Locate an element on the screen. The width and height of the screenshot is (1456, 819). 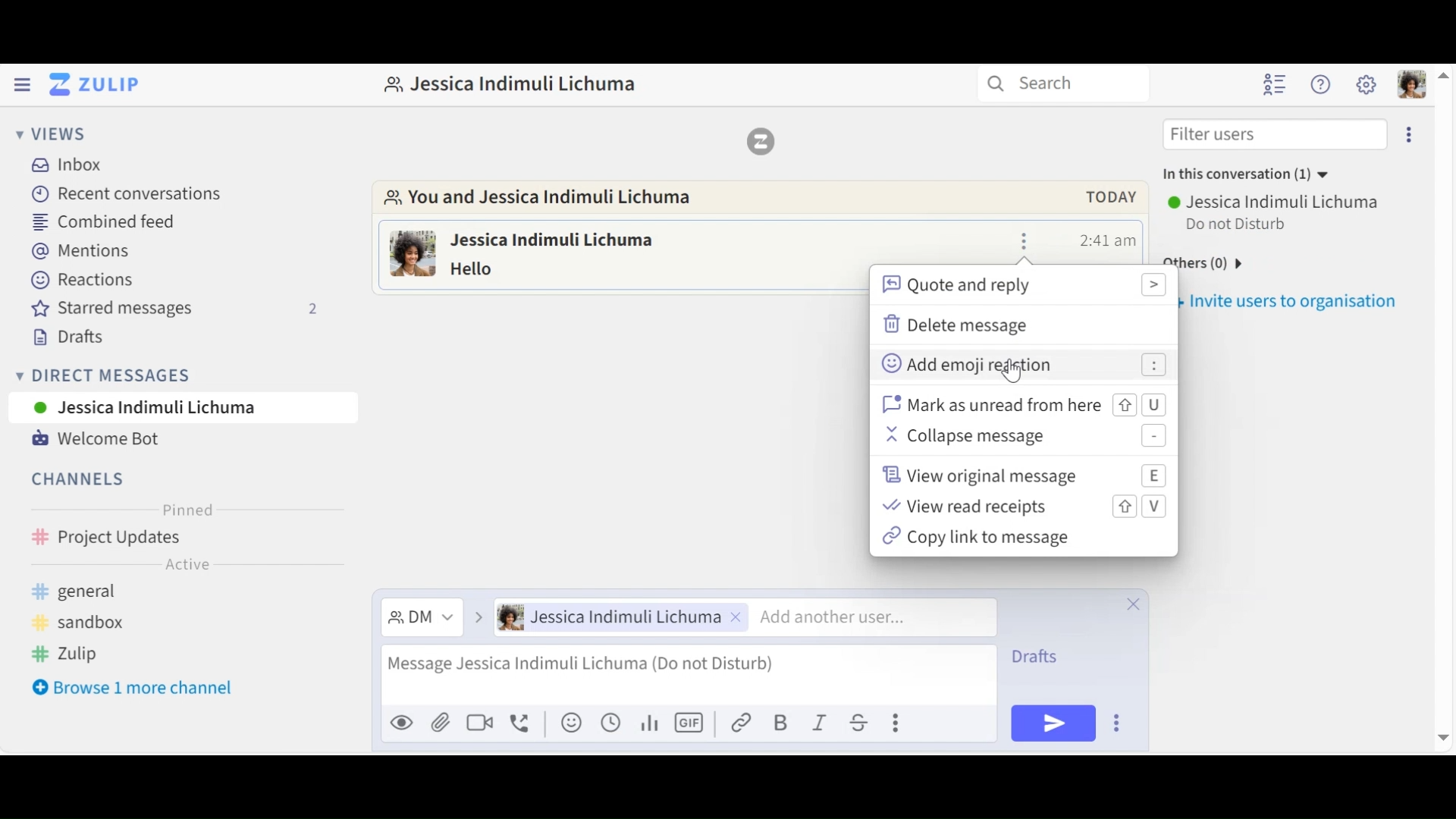
Recent Conversations is located at coordinates (128, 193).